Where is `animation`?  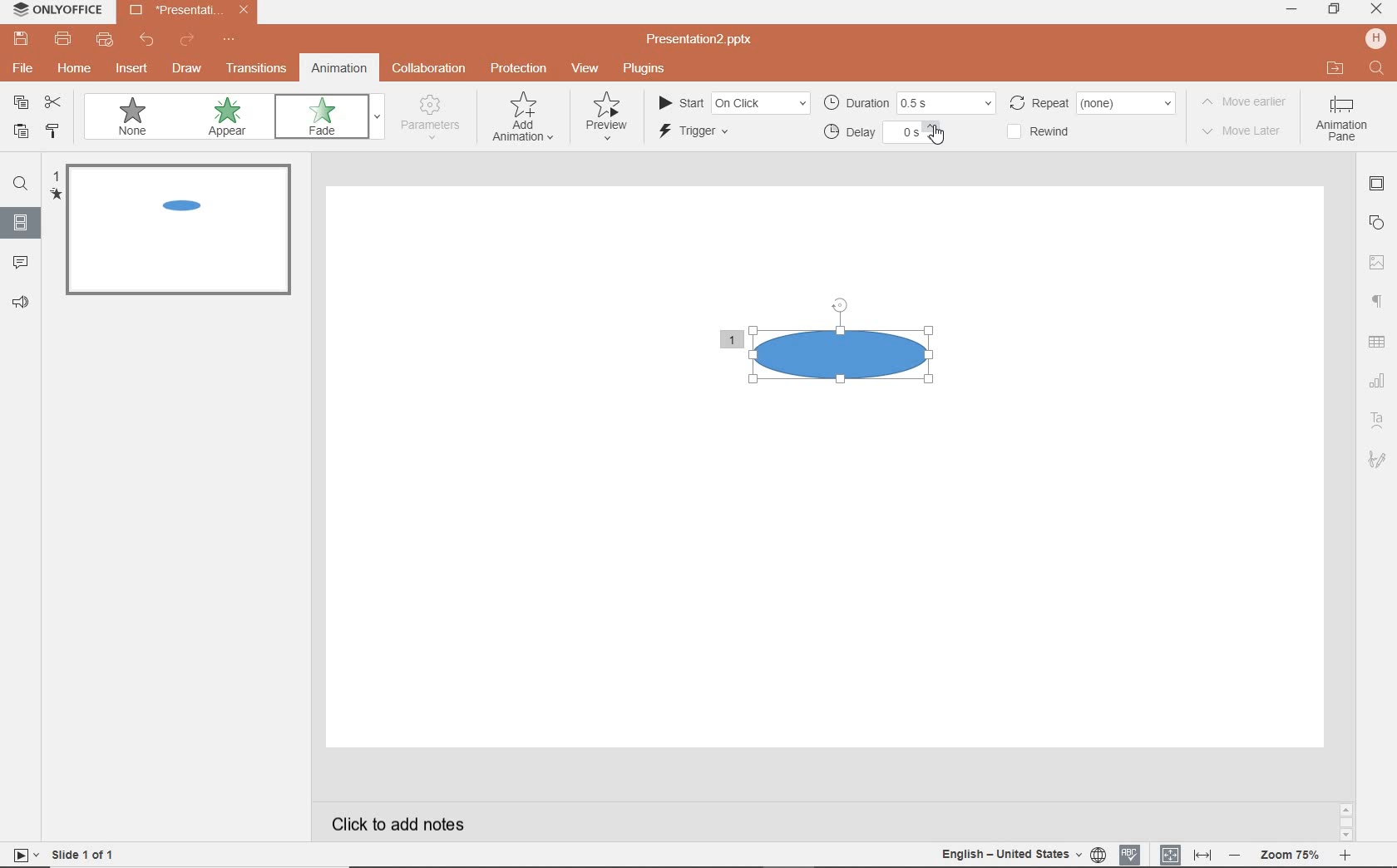 animation is located at coordinates (341, 67).